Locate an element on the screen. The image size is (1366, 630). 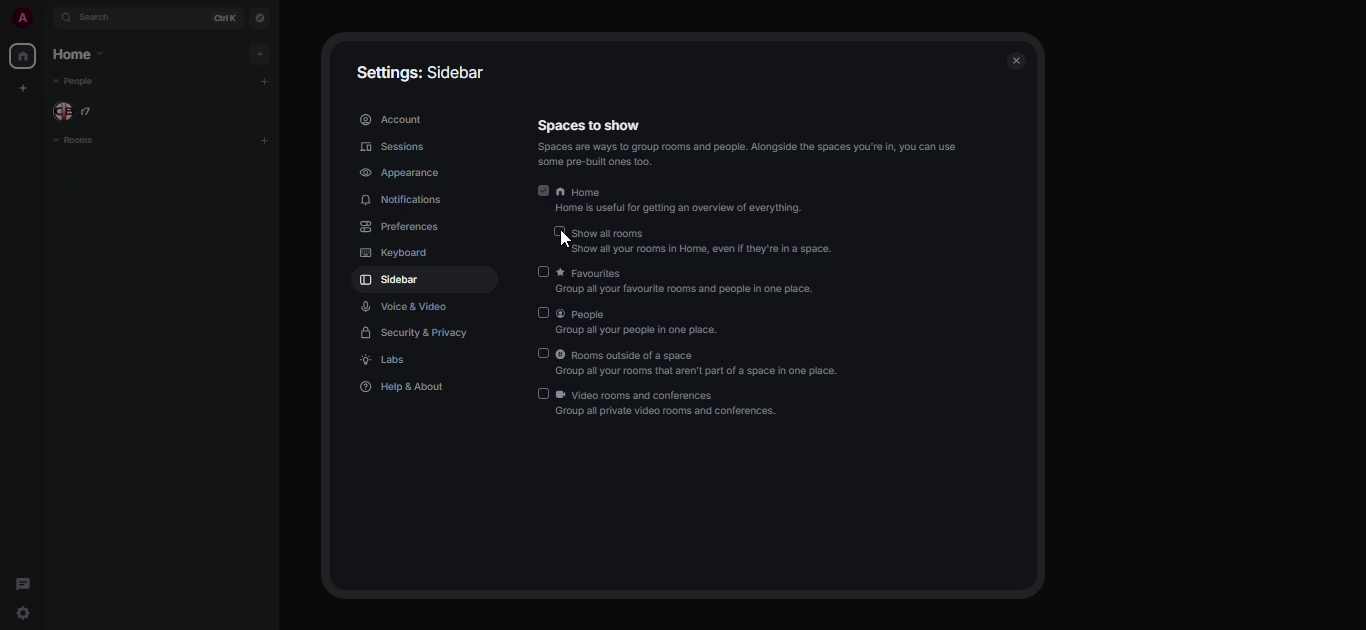
rooms is located at coordinates (73, 141).